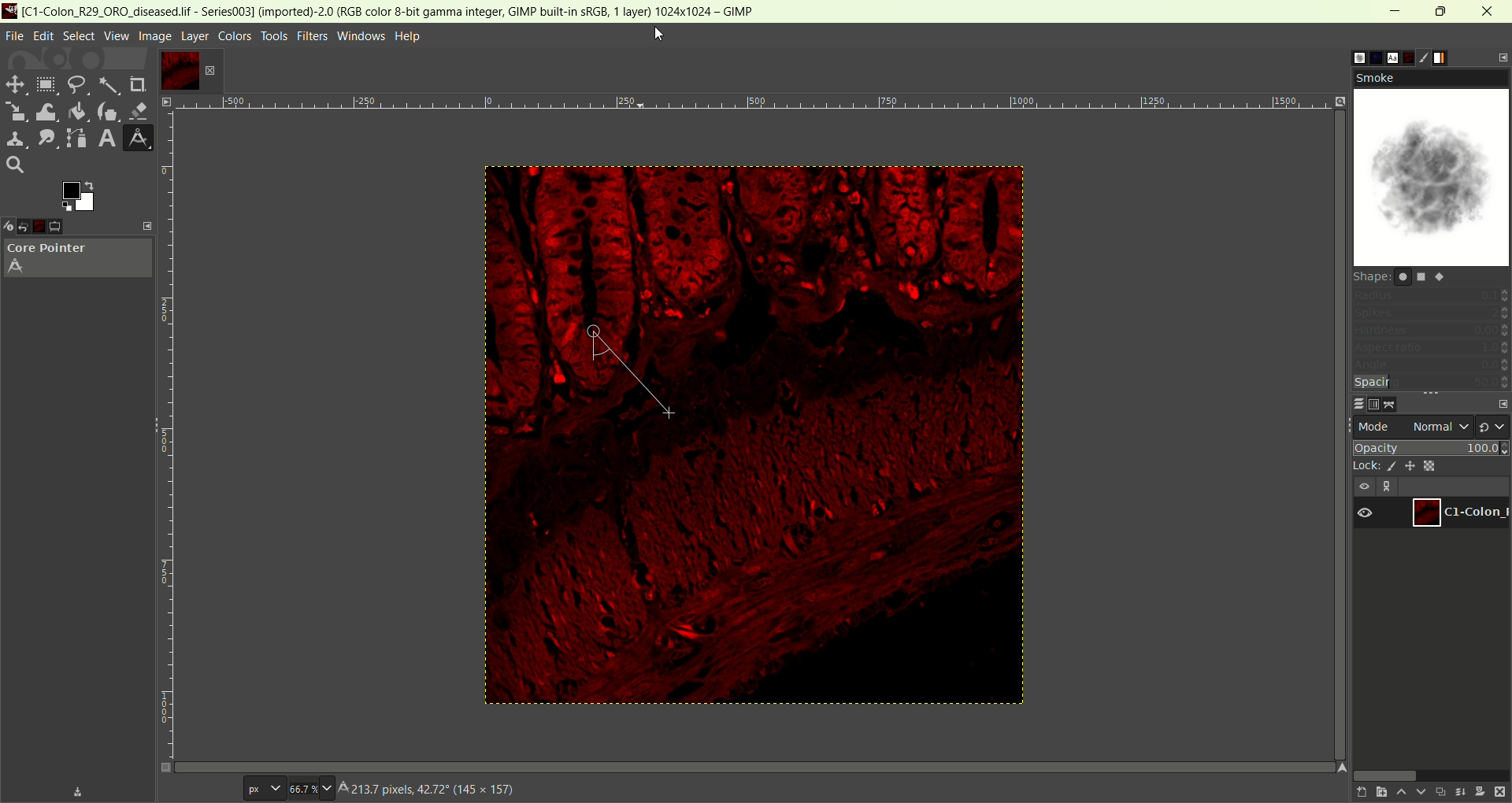  I want to click on windows, so click(363, 36).